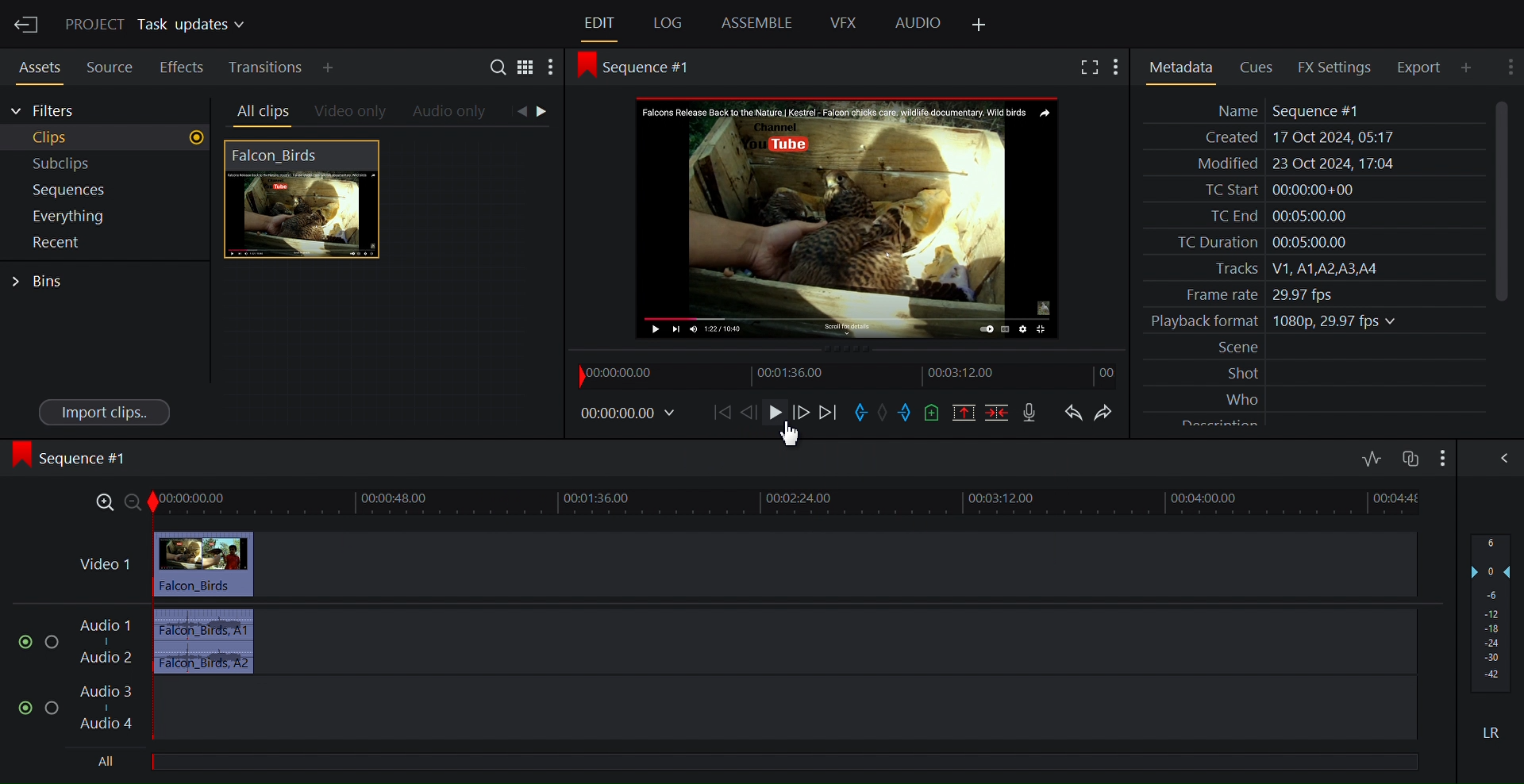 The width and height of the screenshot is (1524, 784). Describe the element at coordinates (964, 413) in the screenshot. I see `Remove the marked section` at that location.